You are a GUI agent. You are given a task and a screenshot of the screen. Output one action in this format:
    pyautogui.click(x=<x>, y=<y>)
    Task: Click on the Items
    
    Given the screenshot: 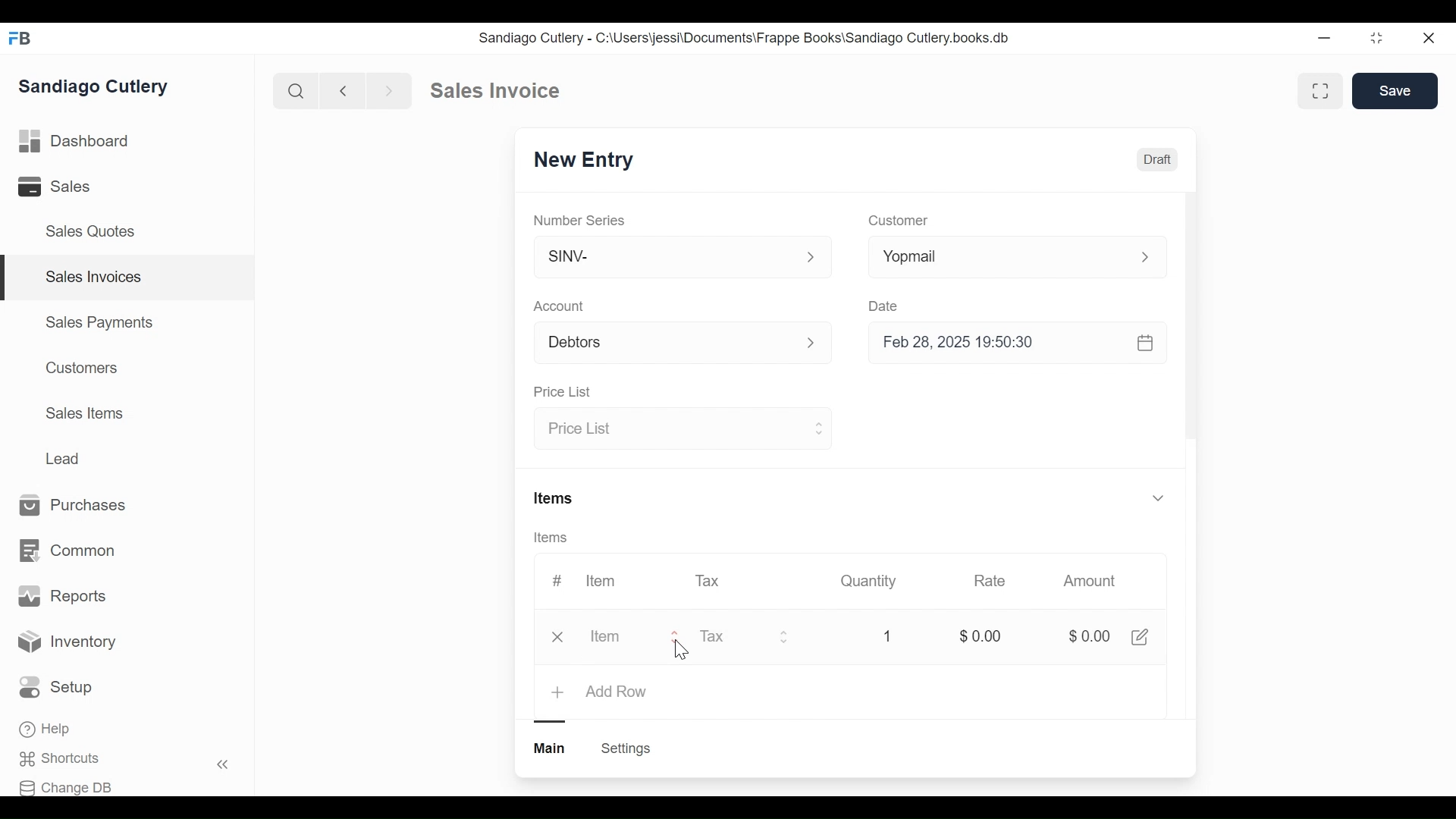 What is the action you would take?
    pyautogui.click(x=552, y=538)
    